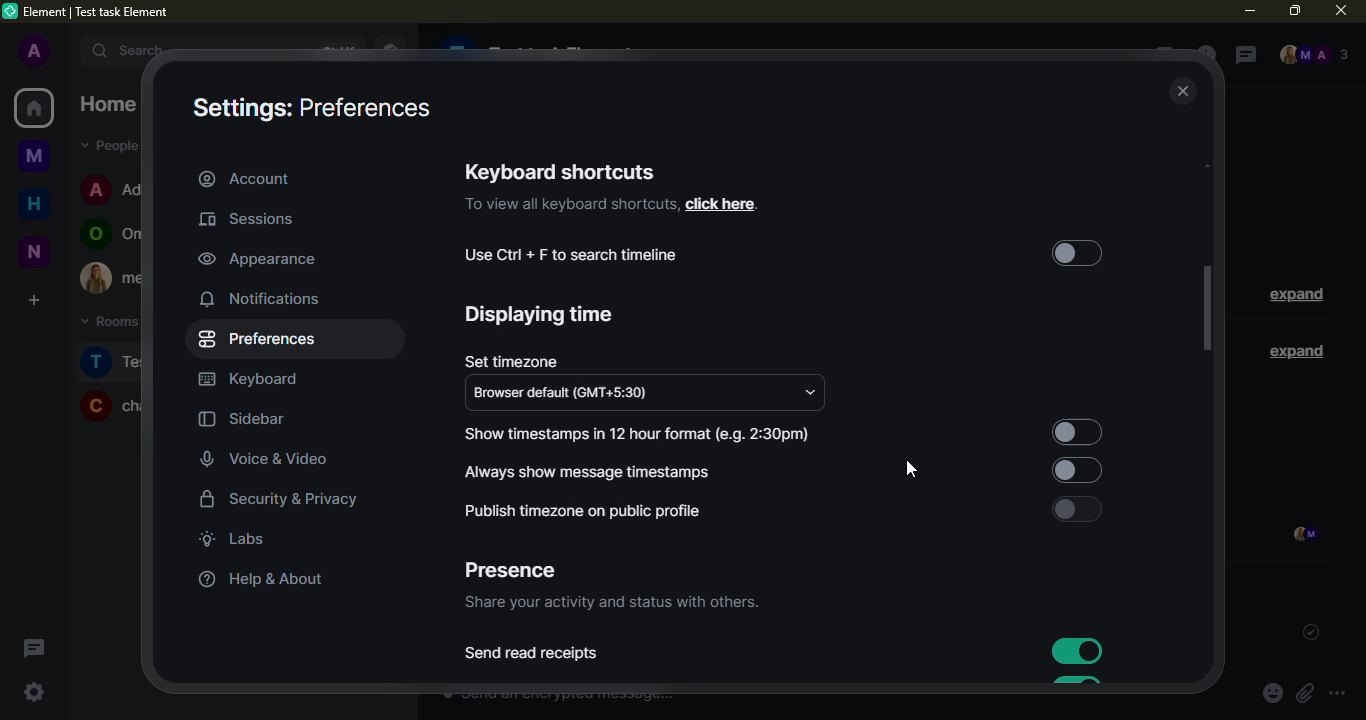  What do you see at coordinates (1292, 350) in the screenshot?
I see `expand` at bounding box center [1292, 350].